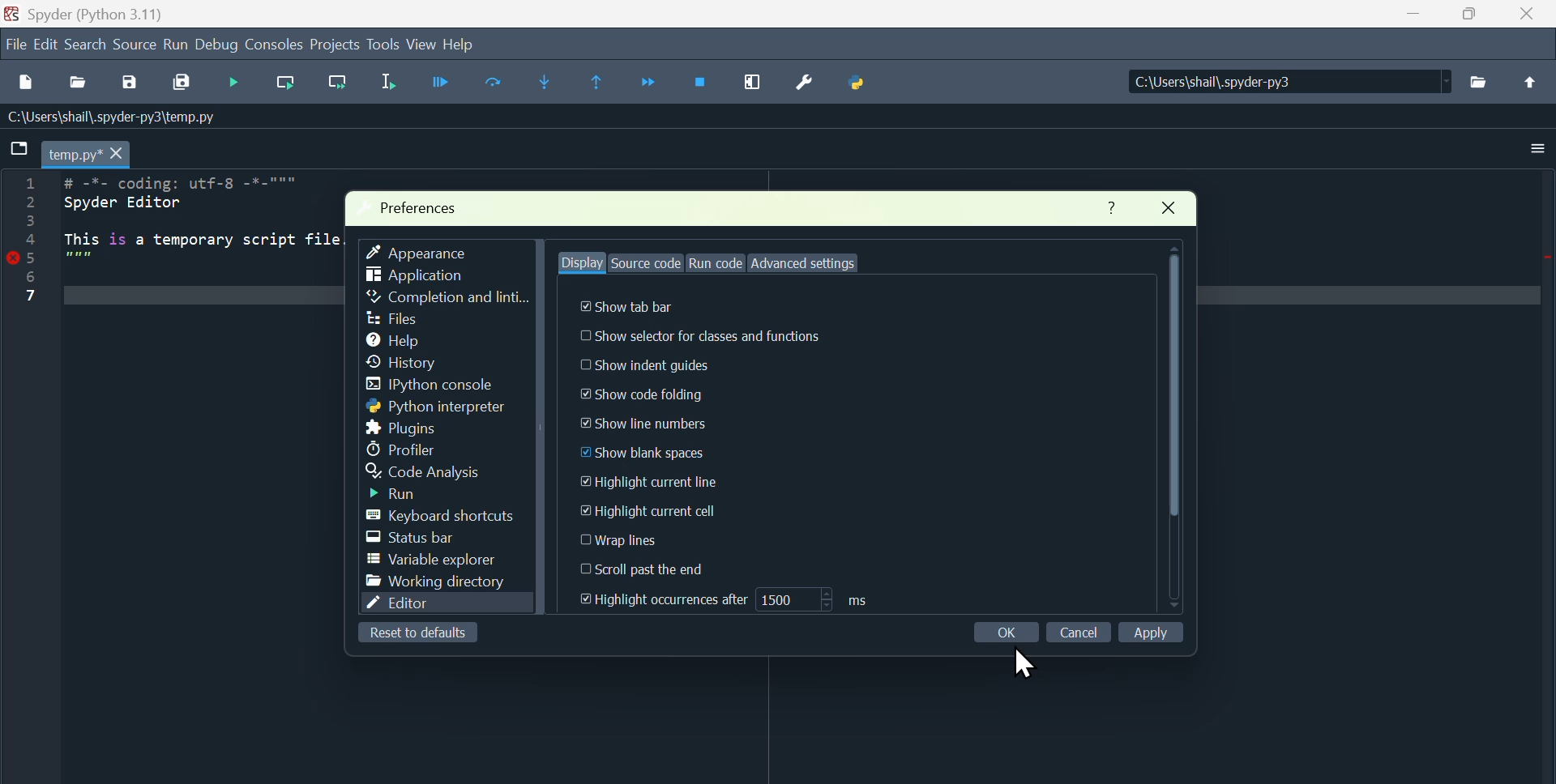  I want to click on Run current line, so click(289, 83).